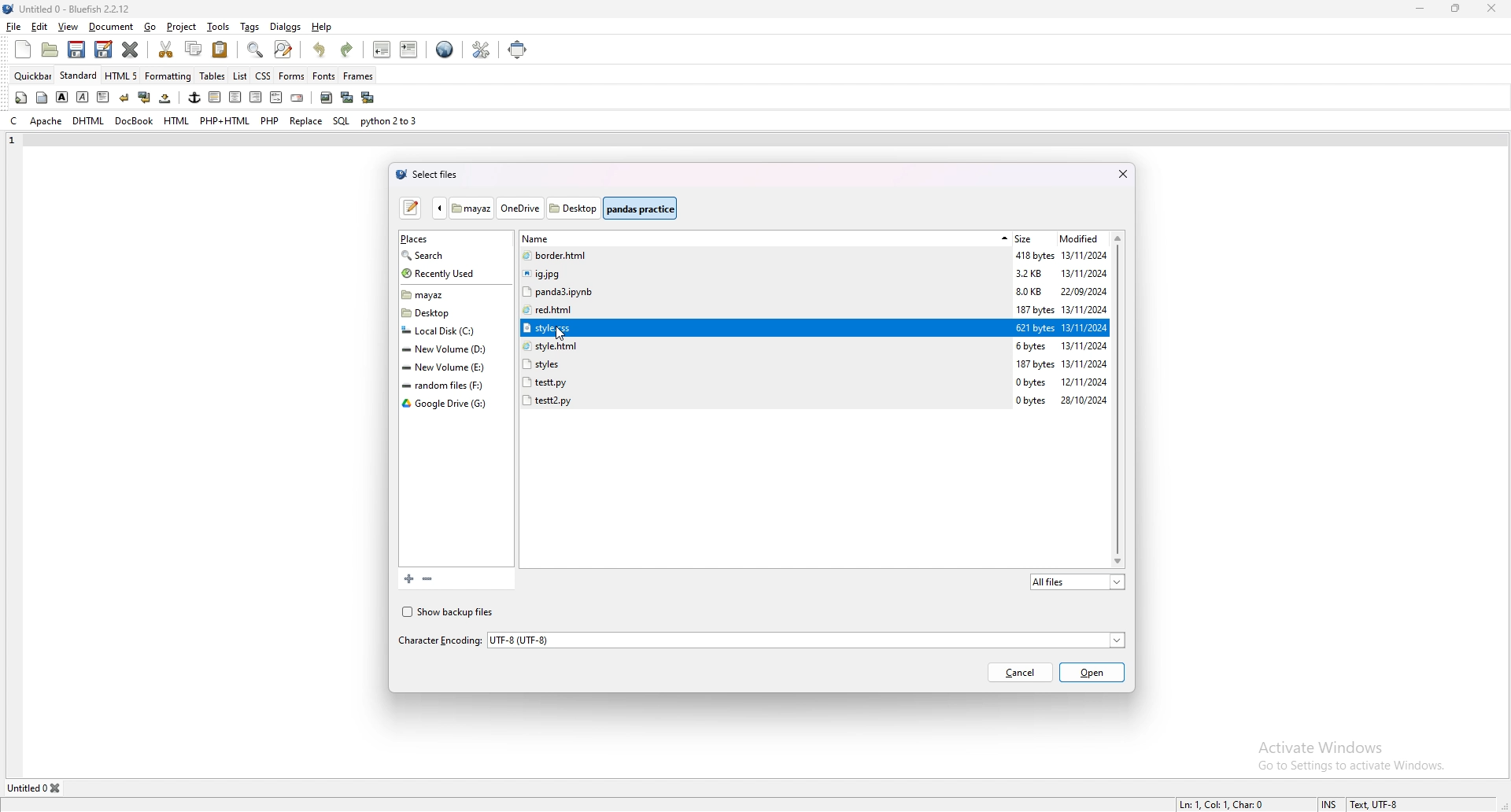  Describe the element at coordinates (168, 76) in the screenshot. I see `formatting` at that location.